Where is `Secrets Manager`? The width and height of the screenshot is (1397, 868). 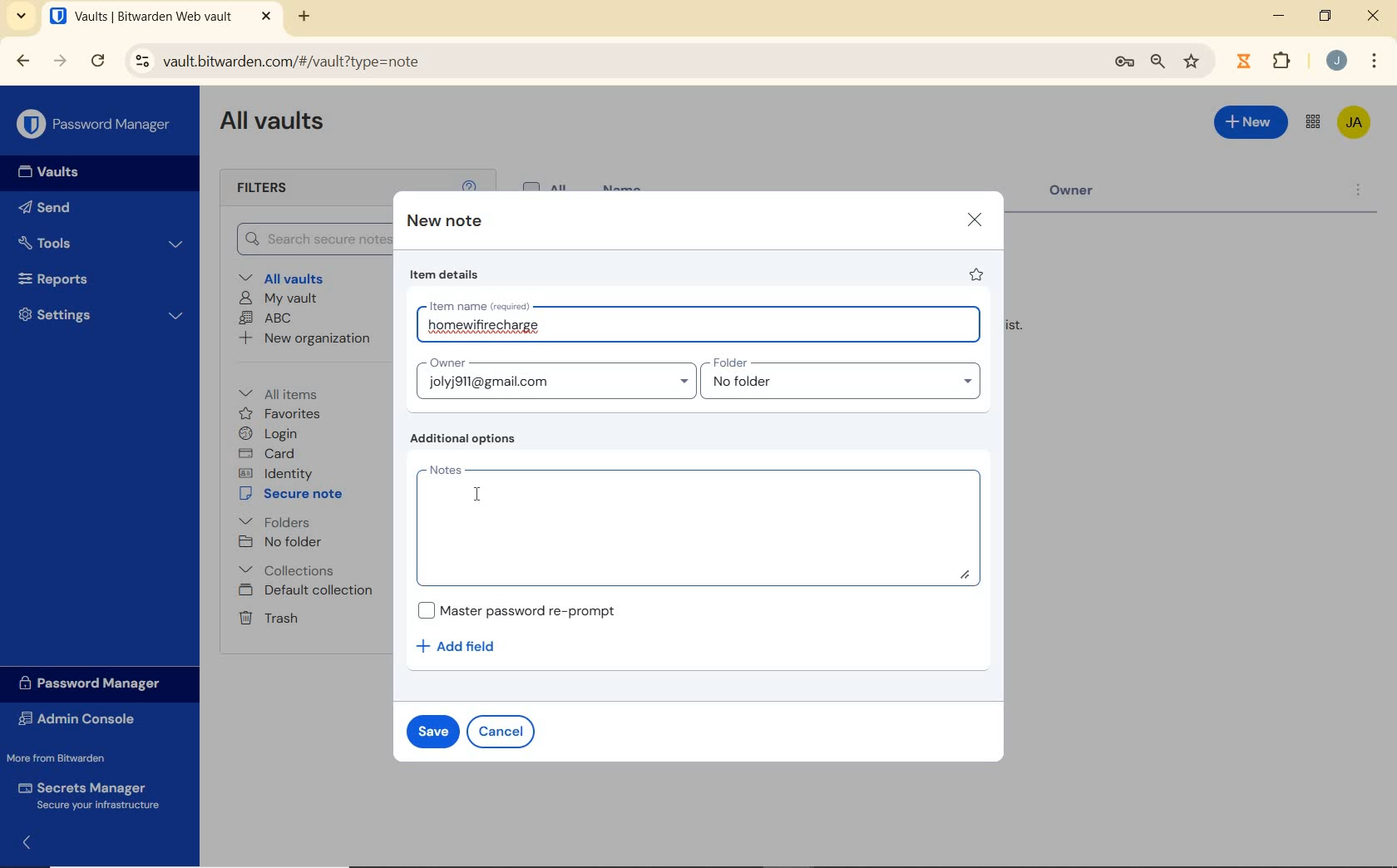 Secrets Manager is located at coordinates (93, 795).